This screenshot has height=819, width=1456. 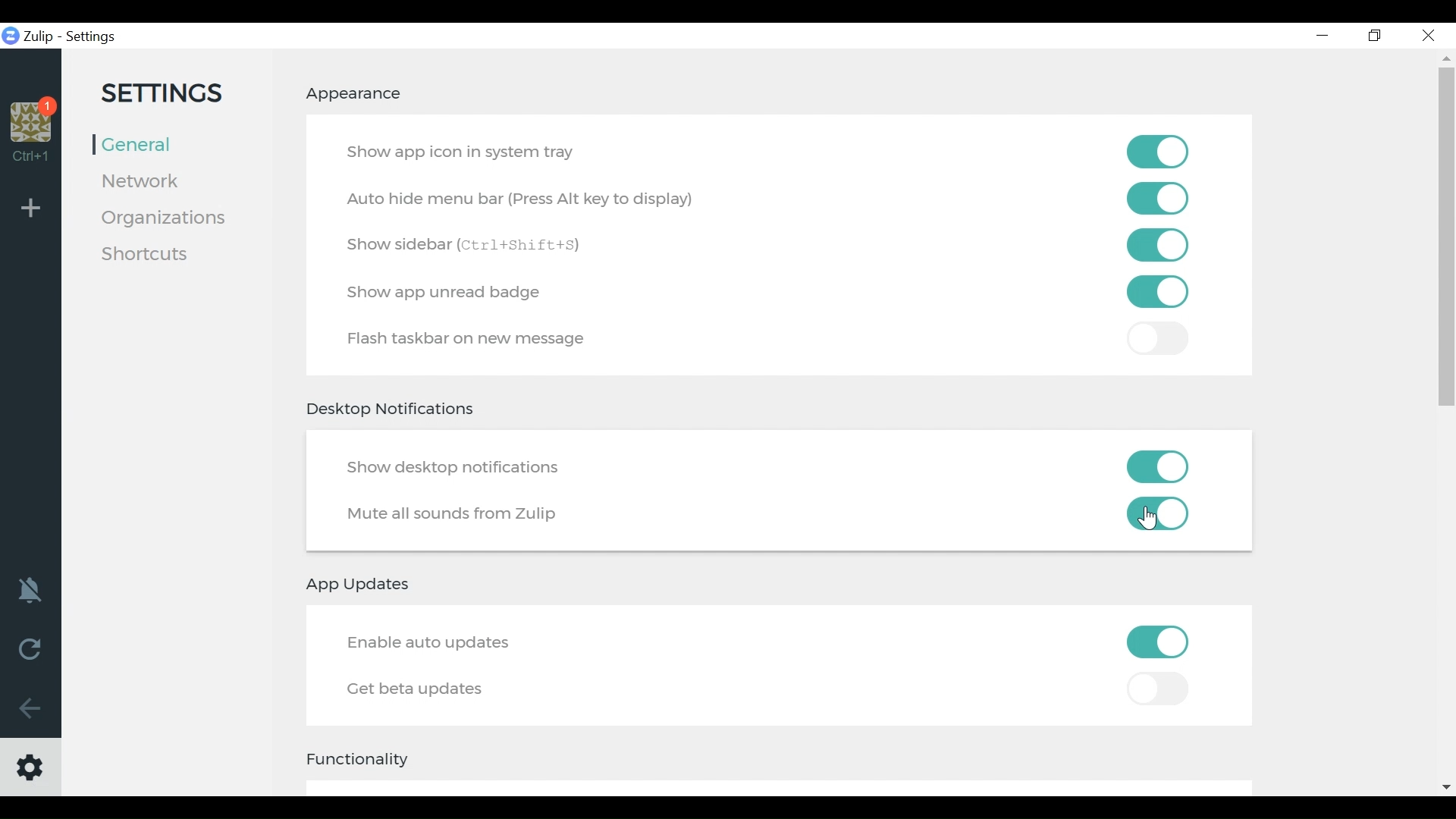 What do you see at coordinates (456, 516) in the screenshot?
I see `Mute all sounds from Zulip` at bounding box center [456, 516].